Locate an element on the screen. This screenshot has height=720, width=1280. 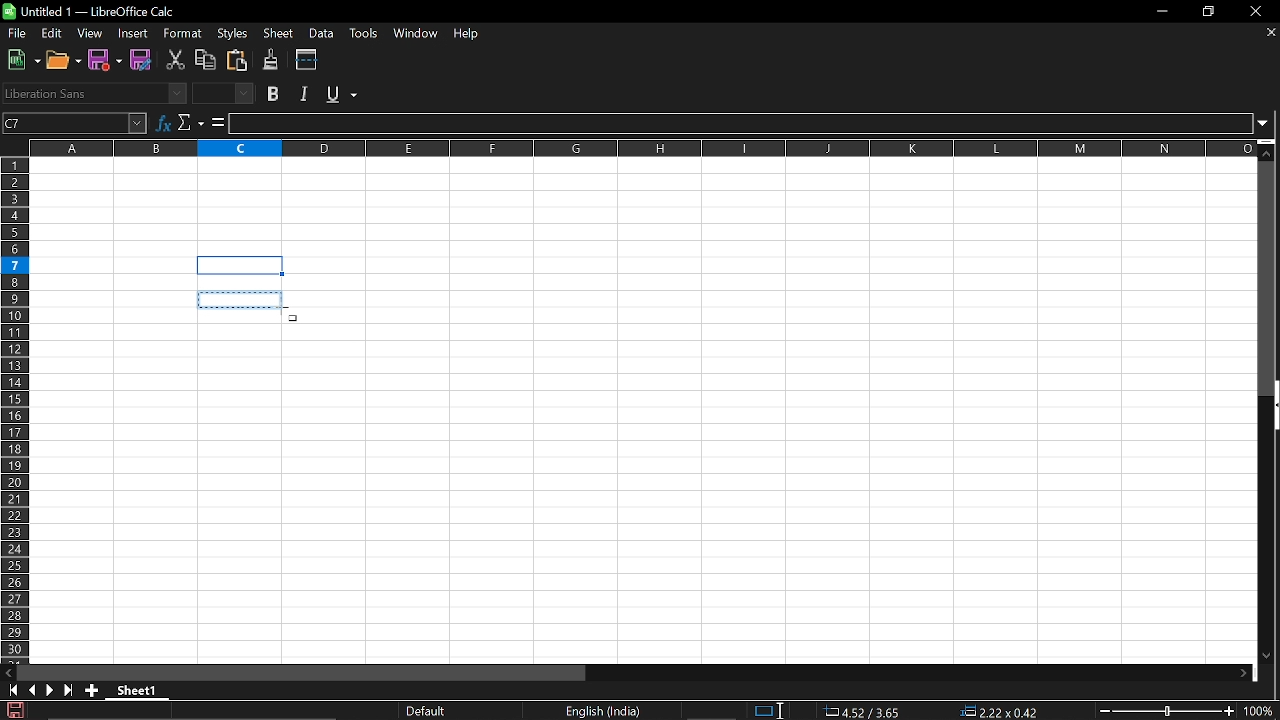
Save as is located at coordinates (142, 61).